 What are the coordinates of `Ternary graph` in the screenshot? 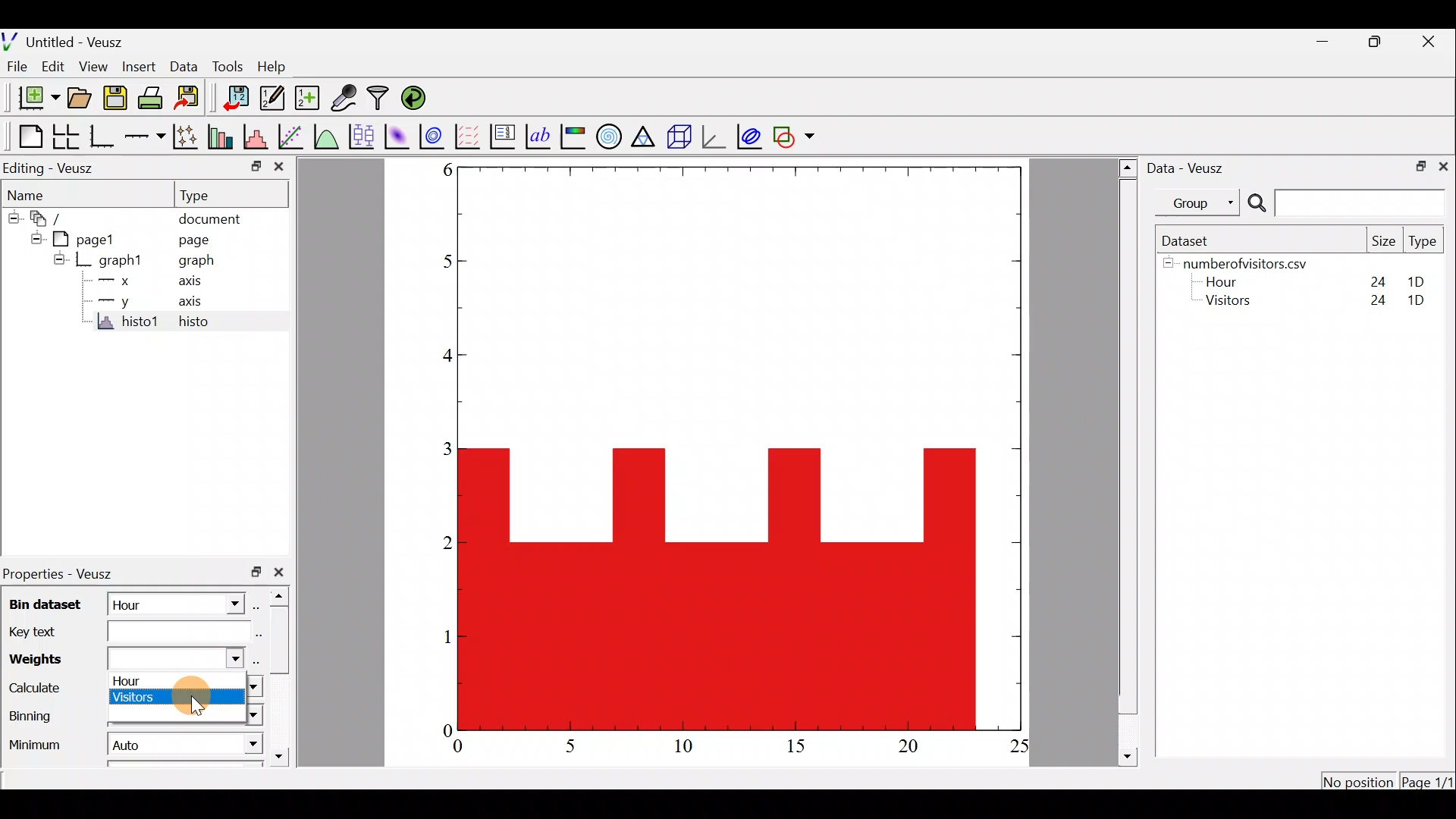 It's located at (642, 138).